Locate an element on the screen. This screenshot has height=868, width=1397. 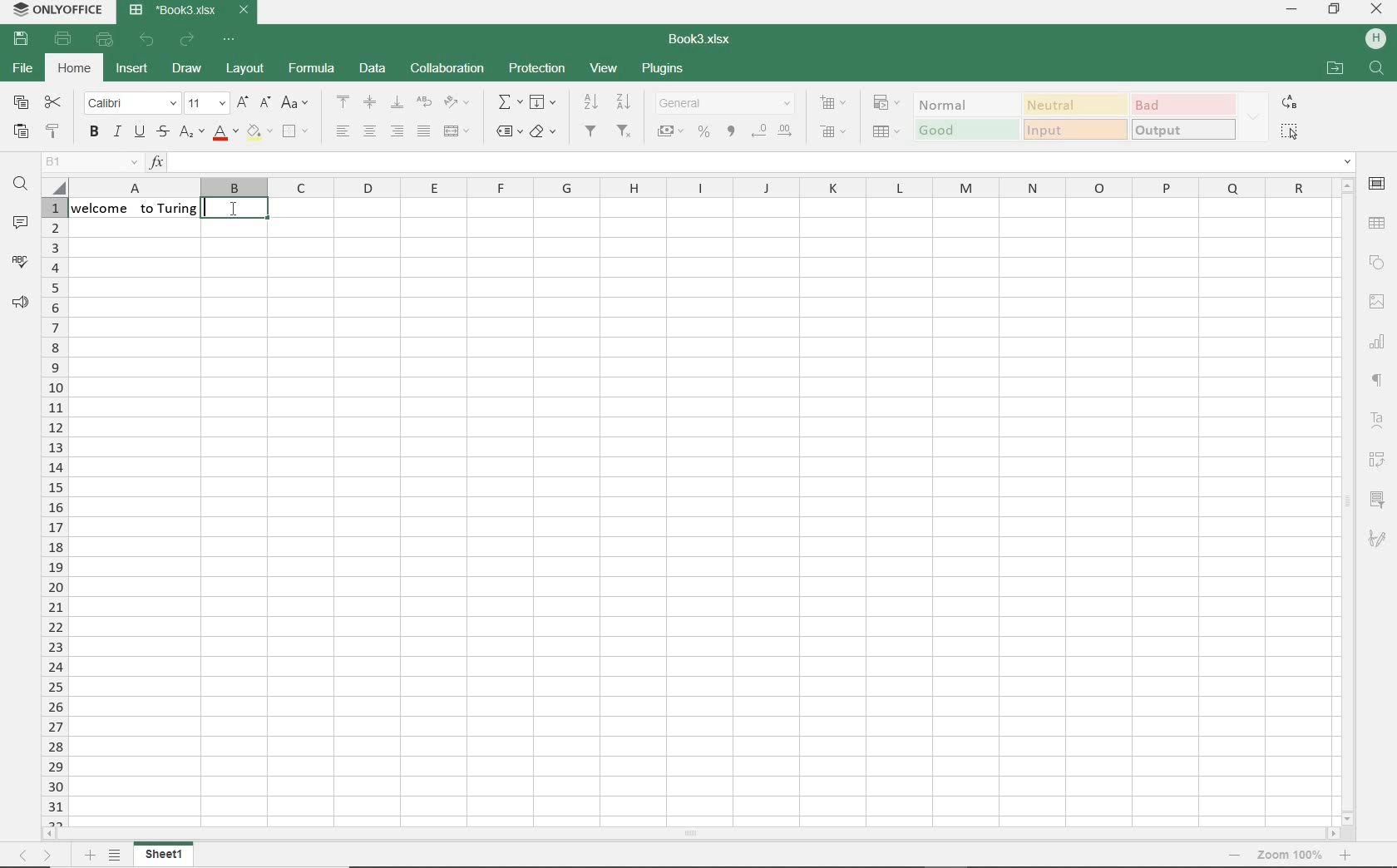
conditional formatting is located at coordinates (886, 102).